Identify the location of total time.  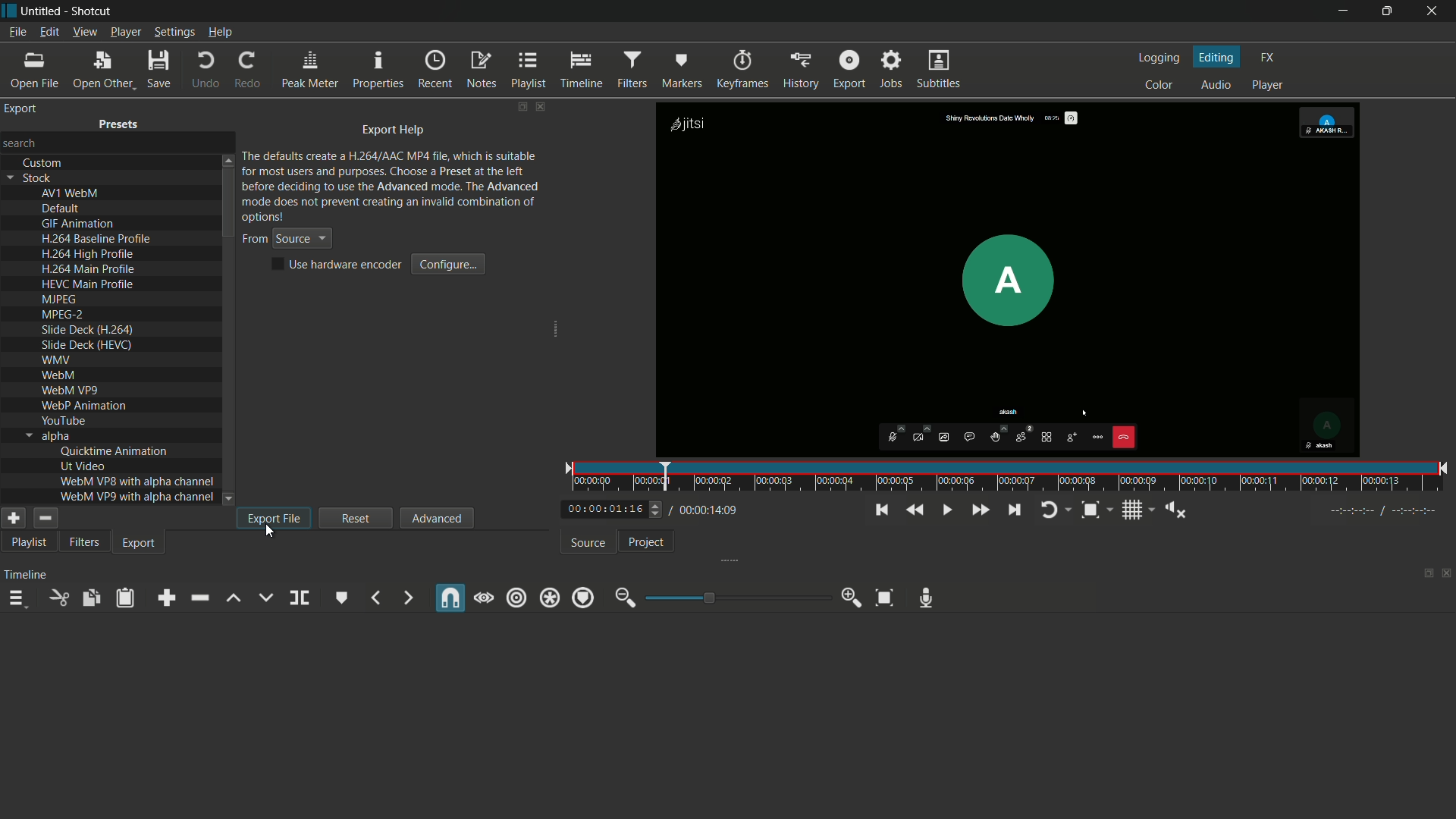
(711, 510).